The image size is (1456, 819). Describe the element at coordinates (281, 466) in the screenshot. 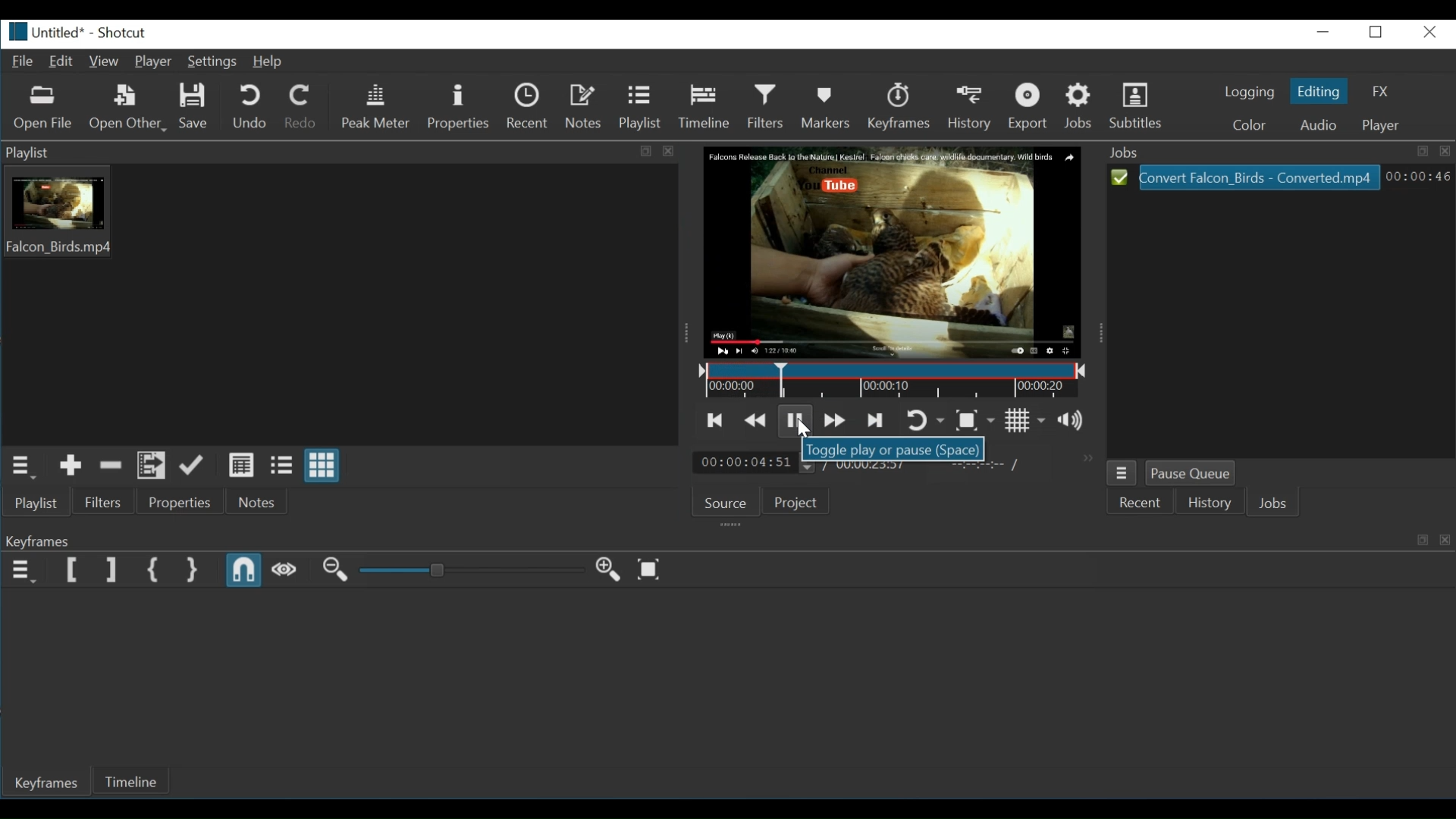

I see `View as files` at that location.